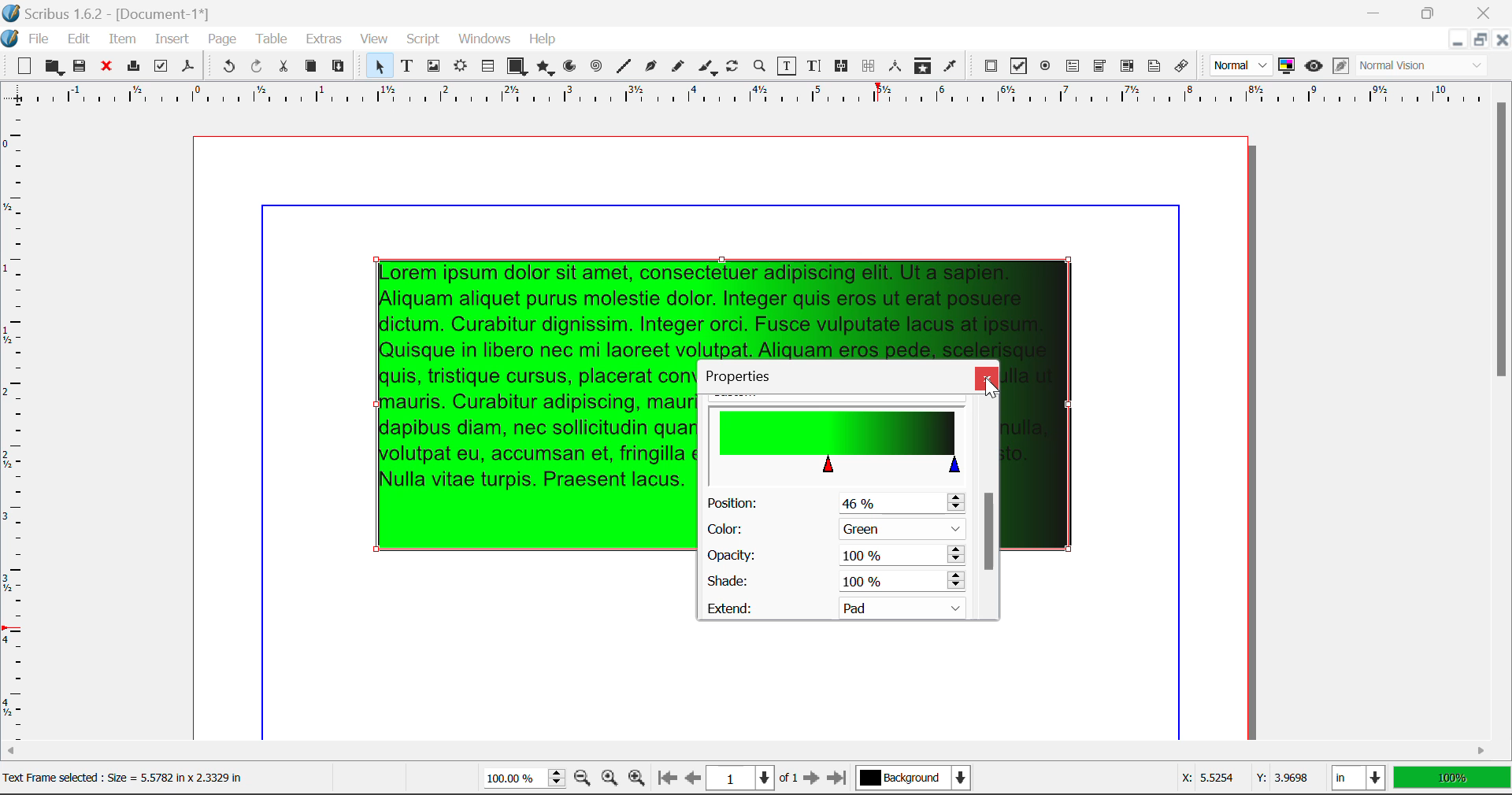  I want to click on Preview Mode, so click(1241, 65).